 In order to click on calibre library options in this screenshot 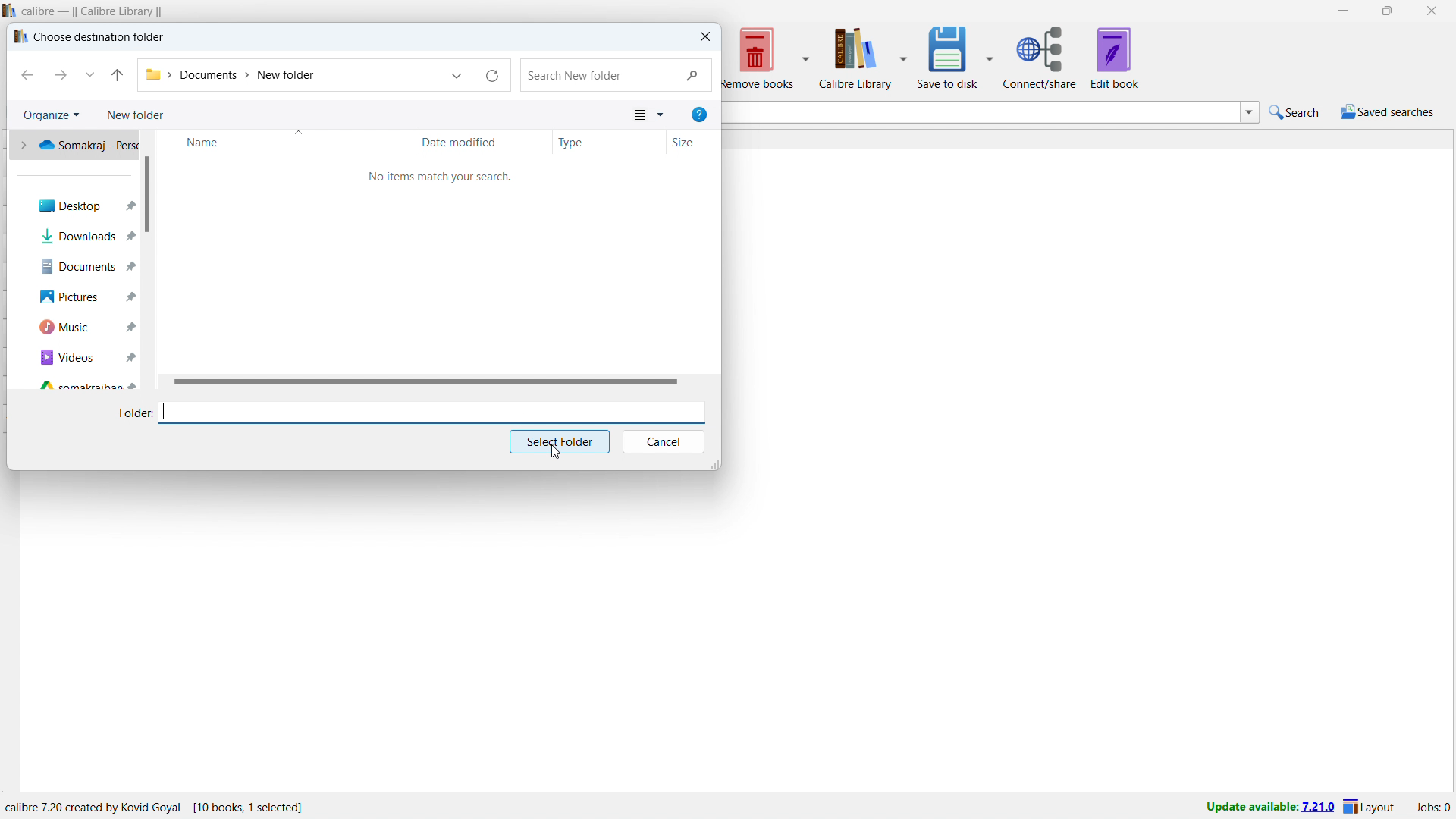, I will do `click(903, 57)`.